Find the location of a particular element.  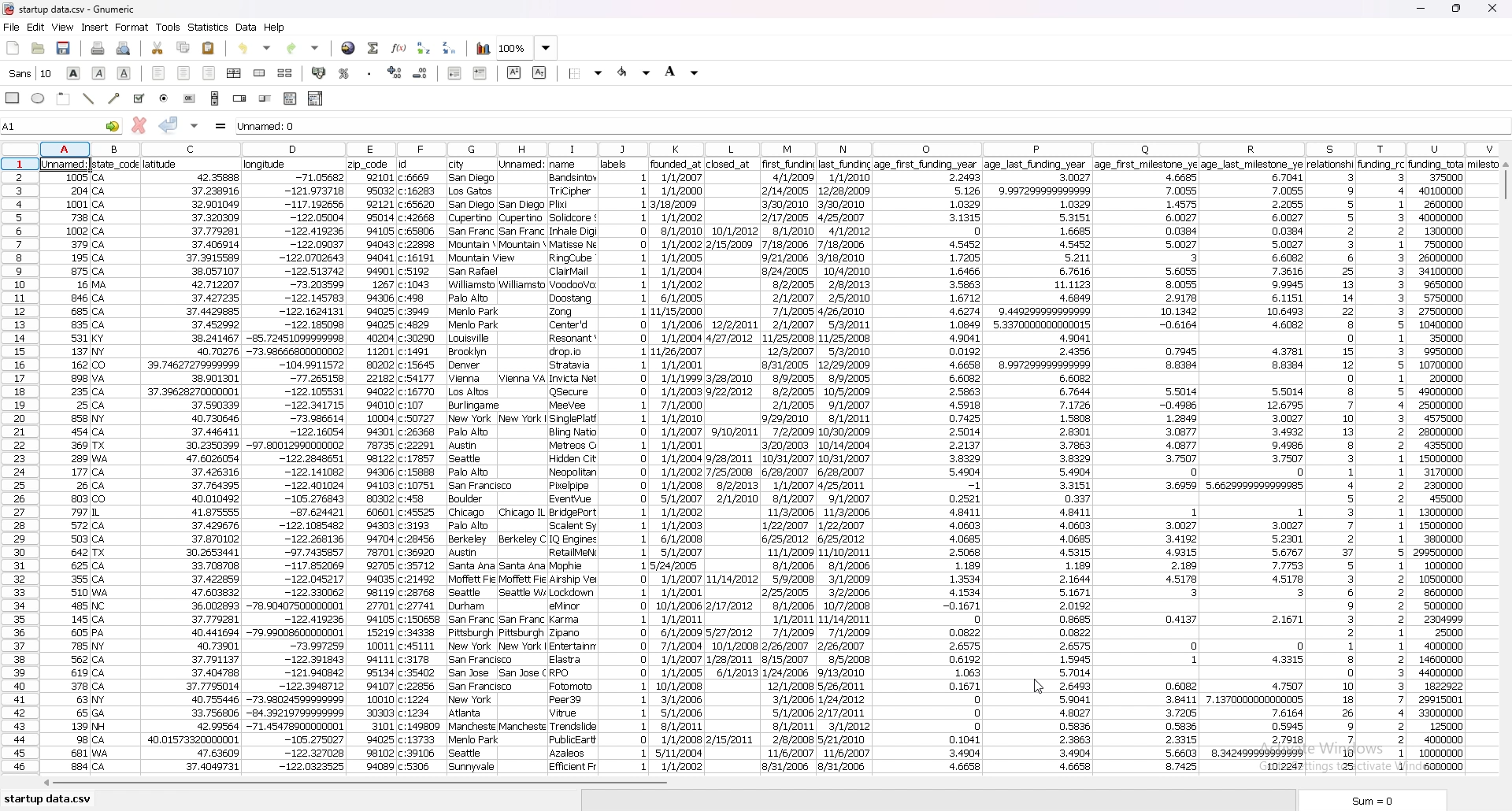

data is located at coordinates (679, 465).